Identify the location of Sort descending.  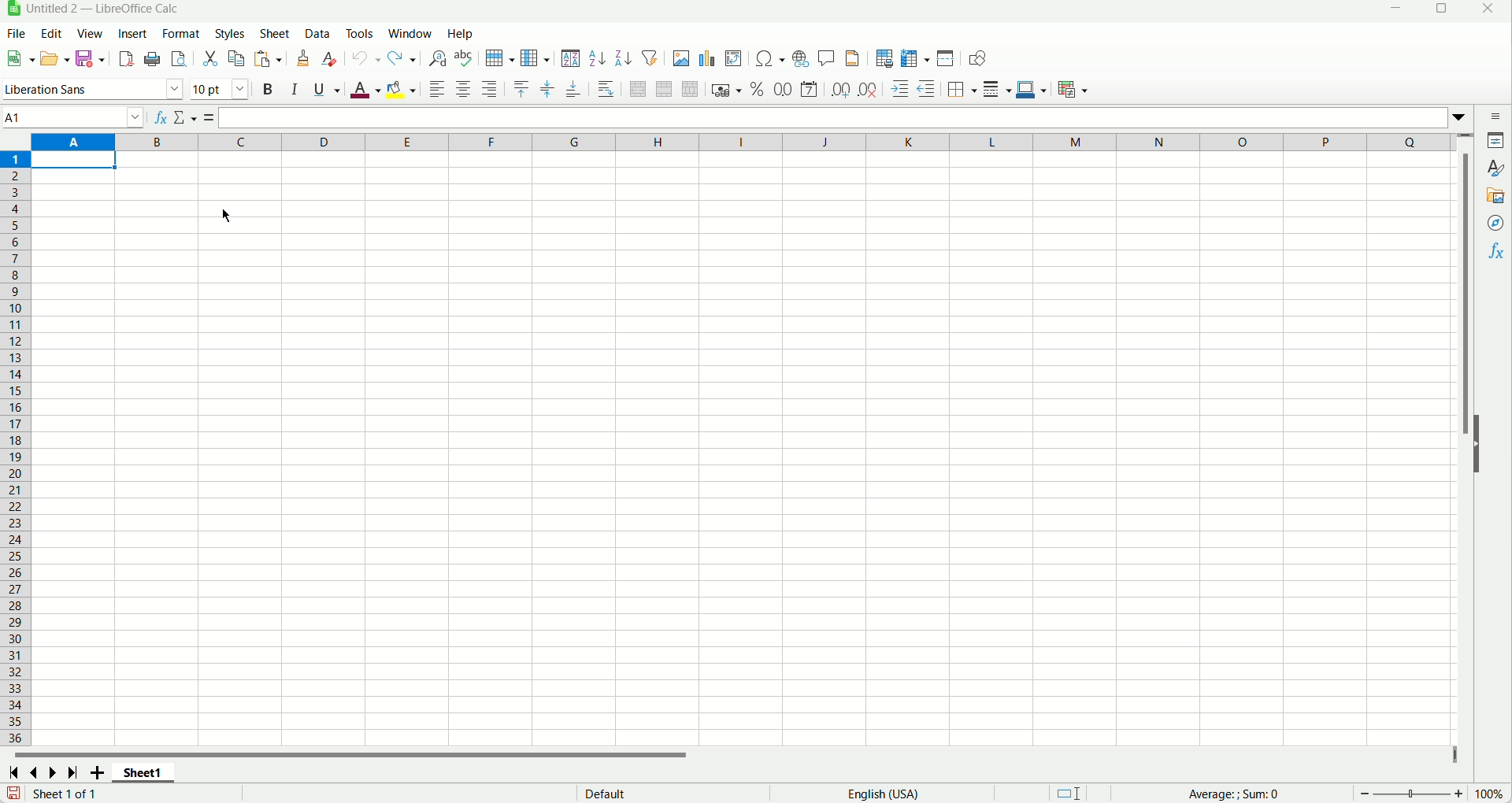
(623, 59).